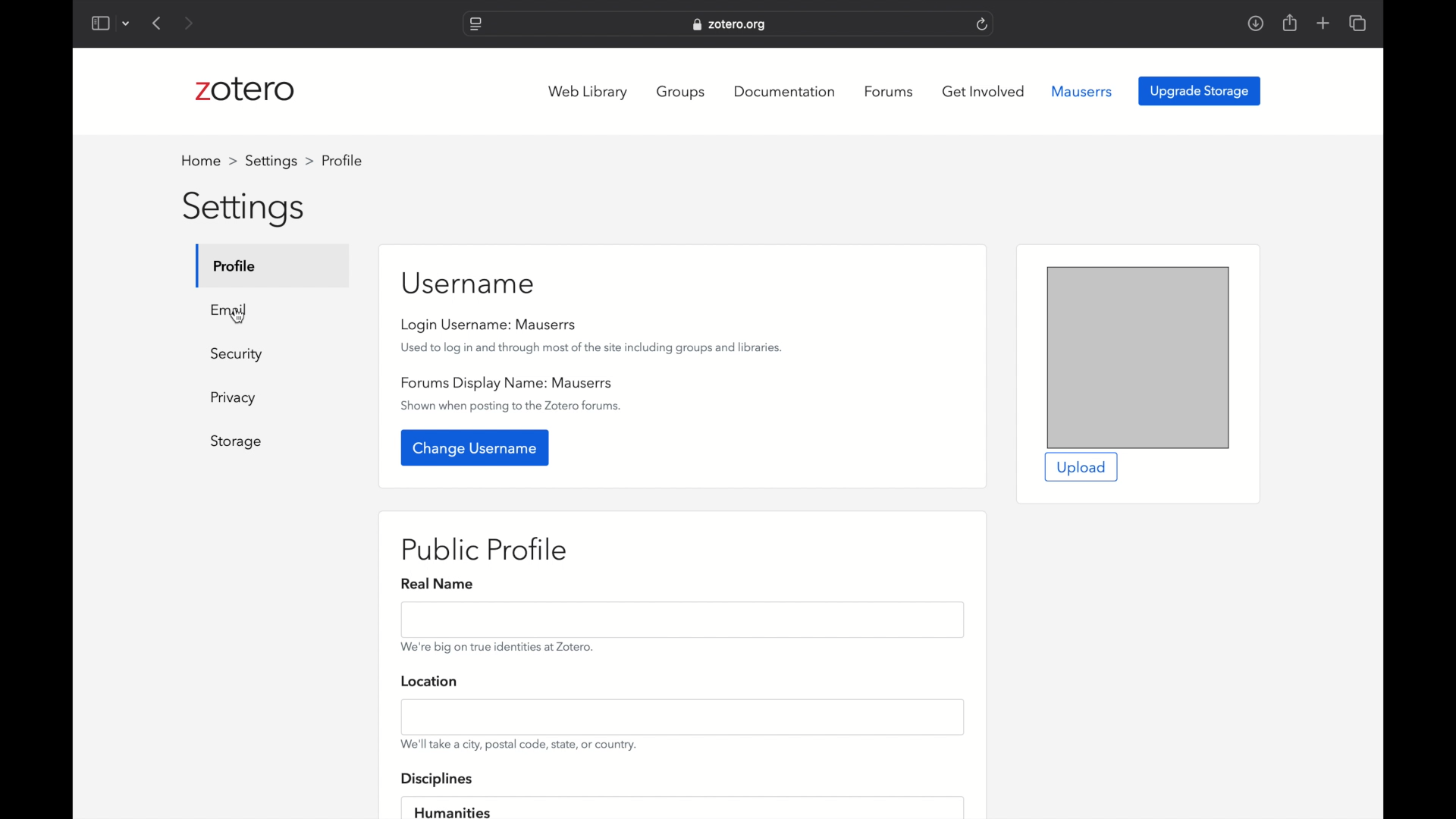  What do you see at coordinates (1291, 24) in the screenshot?
I see `share` at bounding box center [1291, 24].